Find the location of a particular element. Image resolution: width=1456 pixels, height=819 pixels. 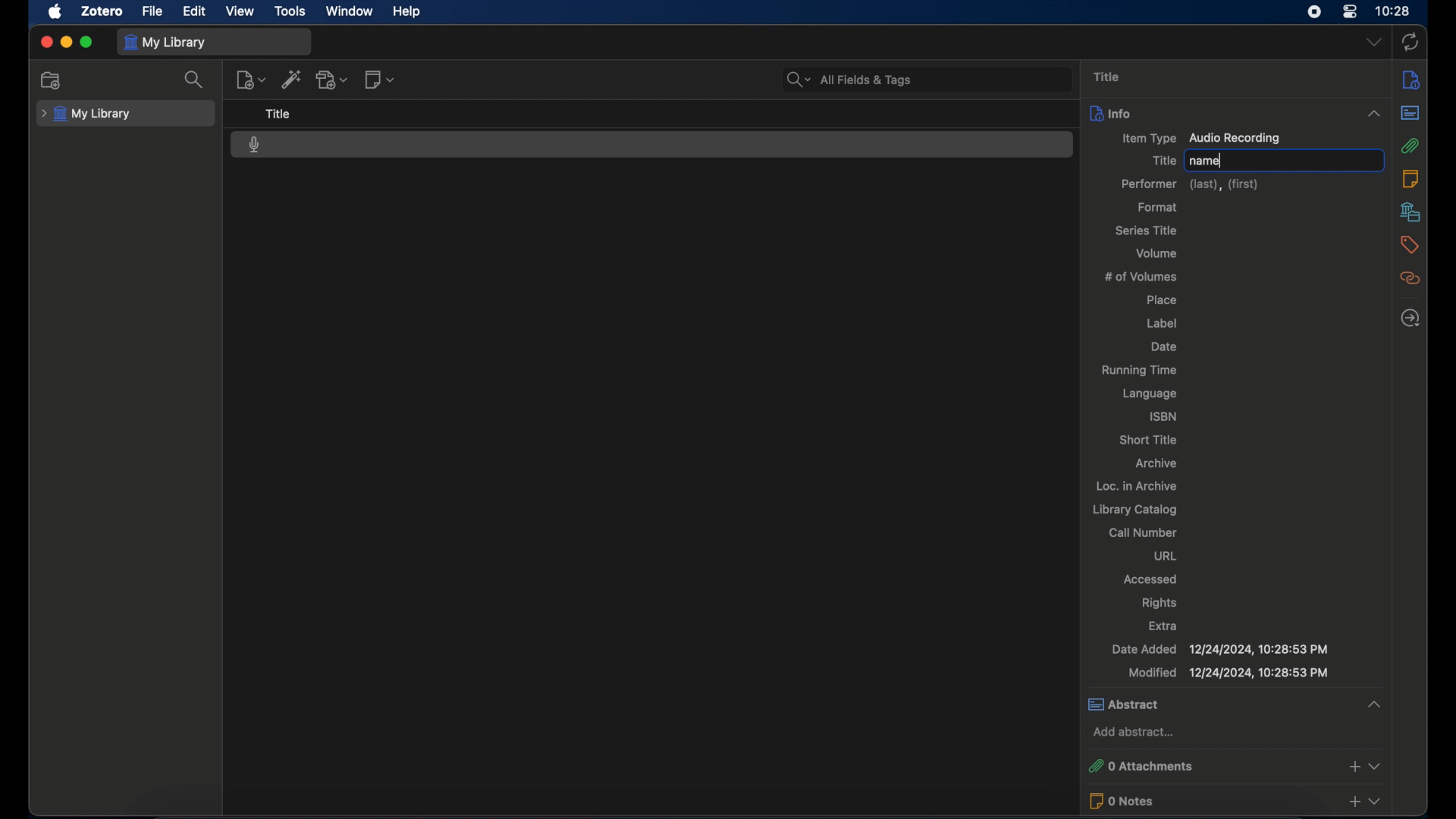

my library is located at coordinates (165, 43).